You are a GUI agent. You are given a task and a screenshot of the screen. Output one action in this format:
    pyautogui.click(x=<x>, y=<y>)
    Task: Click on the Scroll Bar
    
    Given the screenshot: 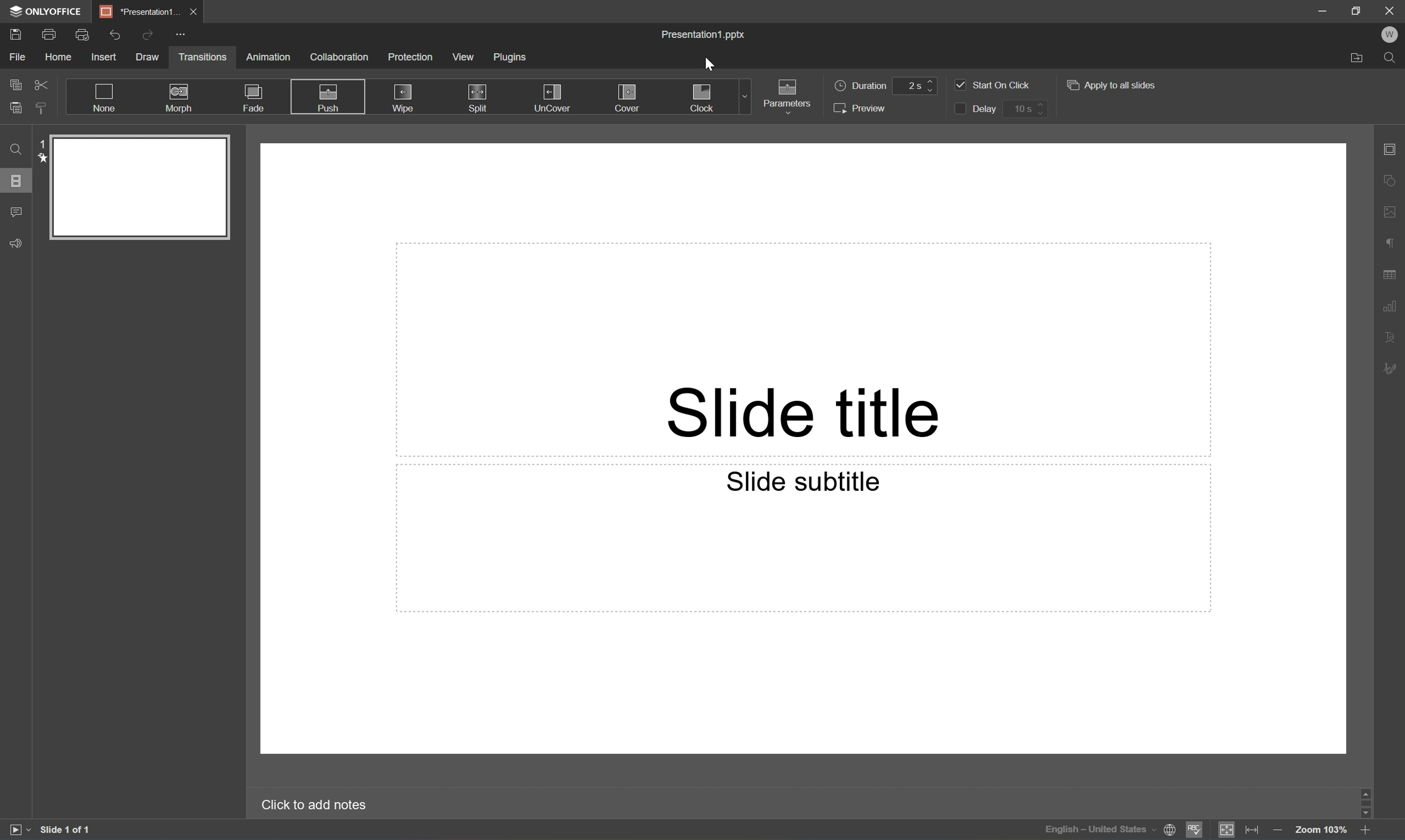 What is the action you would take?
    pyautogui.click(x=1368, y=803)
    